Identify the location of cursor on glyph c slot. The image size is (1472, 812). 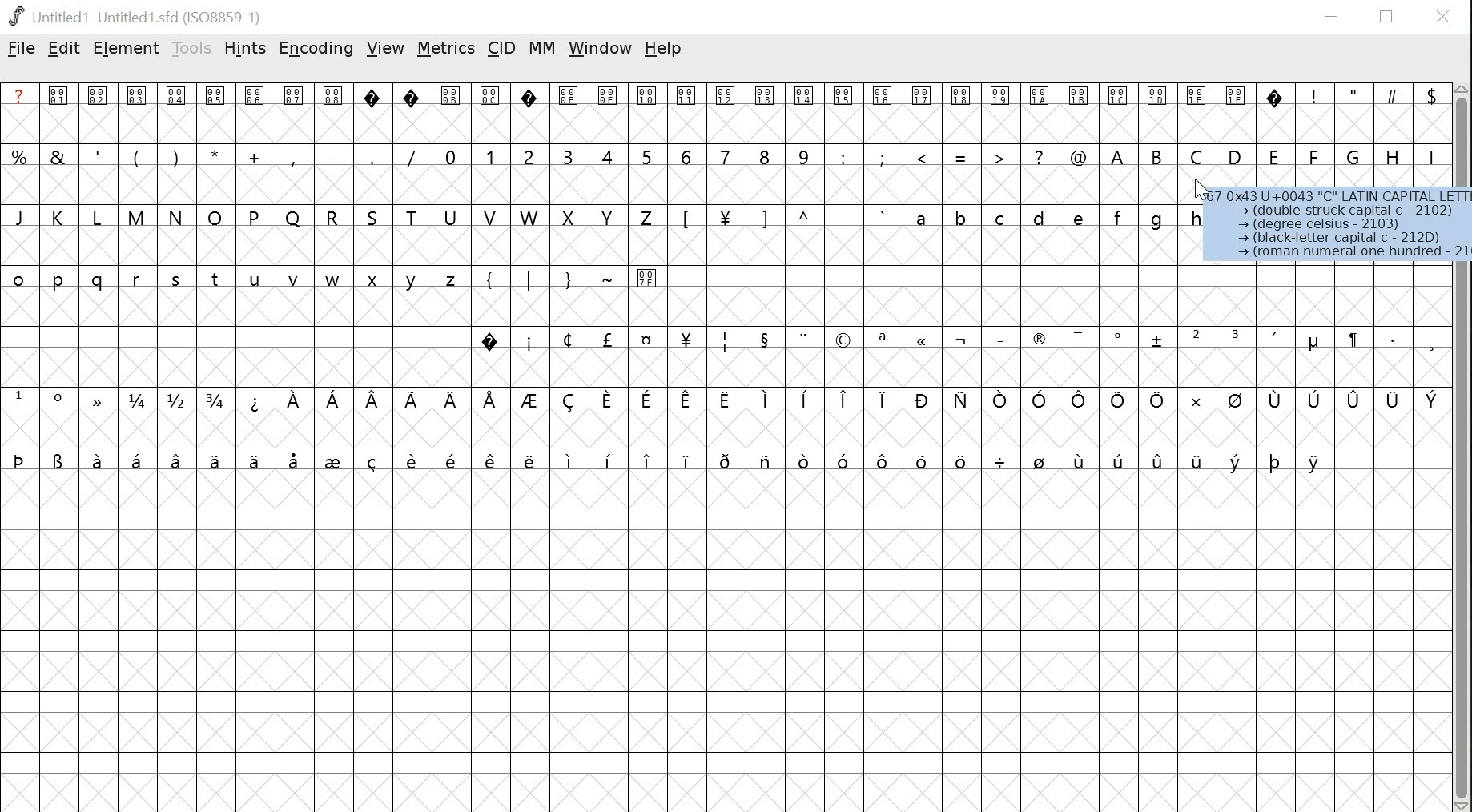
(1199, 192).